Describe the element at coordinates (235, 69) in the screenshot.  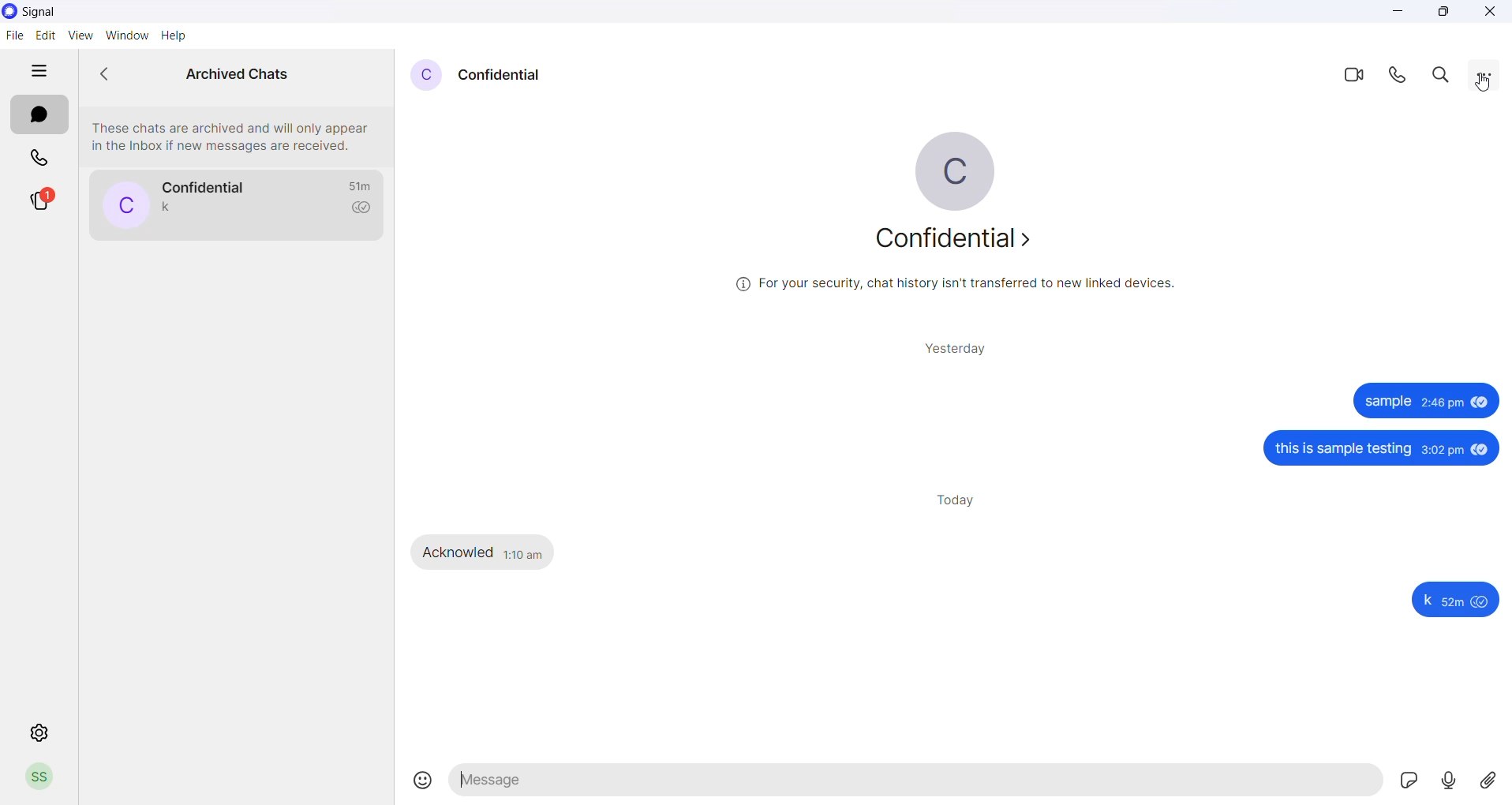
I see `archived chats heading` at that location.